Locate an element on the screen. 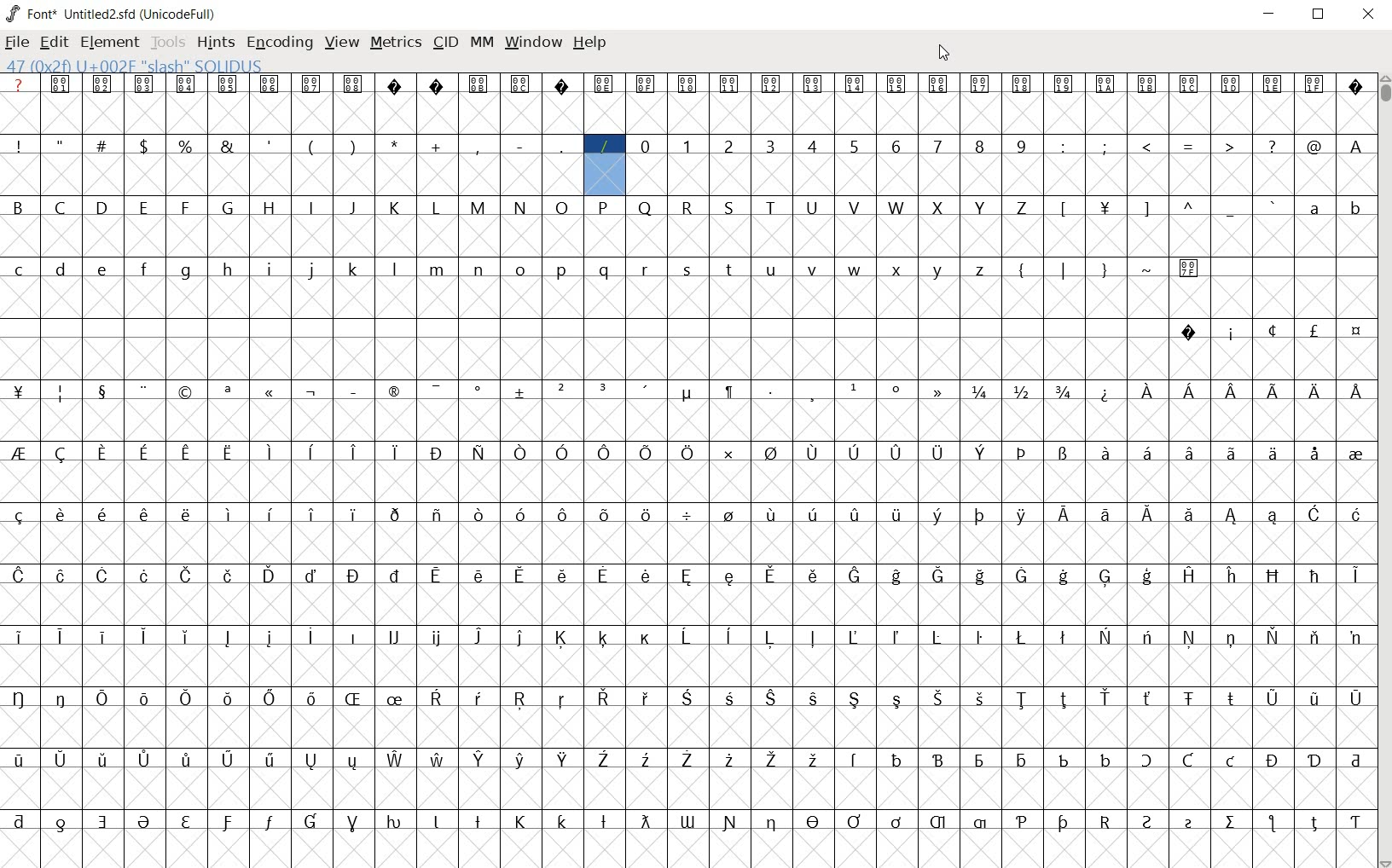 Image resolution: width=1392 pixels, height=868 pixels. glyph is located at coordinates (354, 84).